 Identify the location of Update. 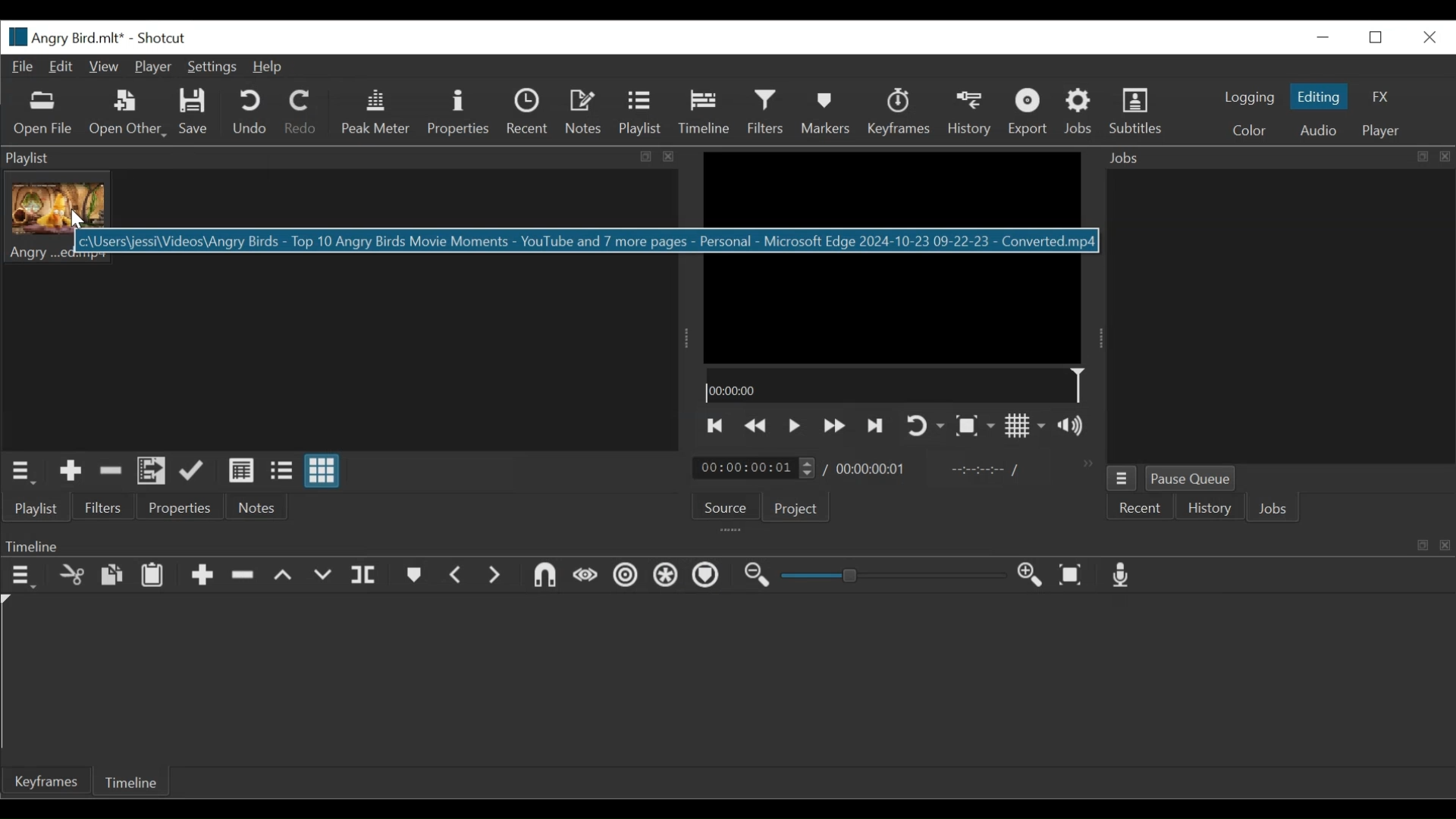
(194, 472).